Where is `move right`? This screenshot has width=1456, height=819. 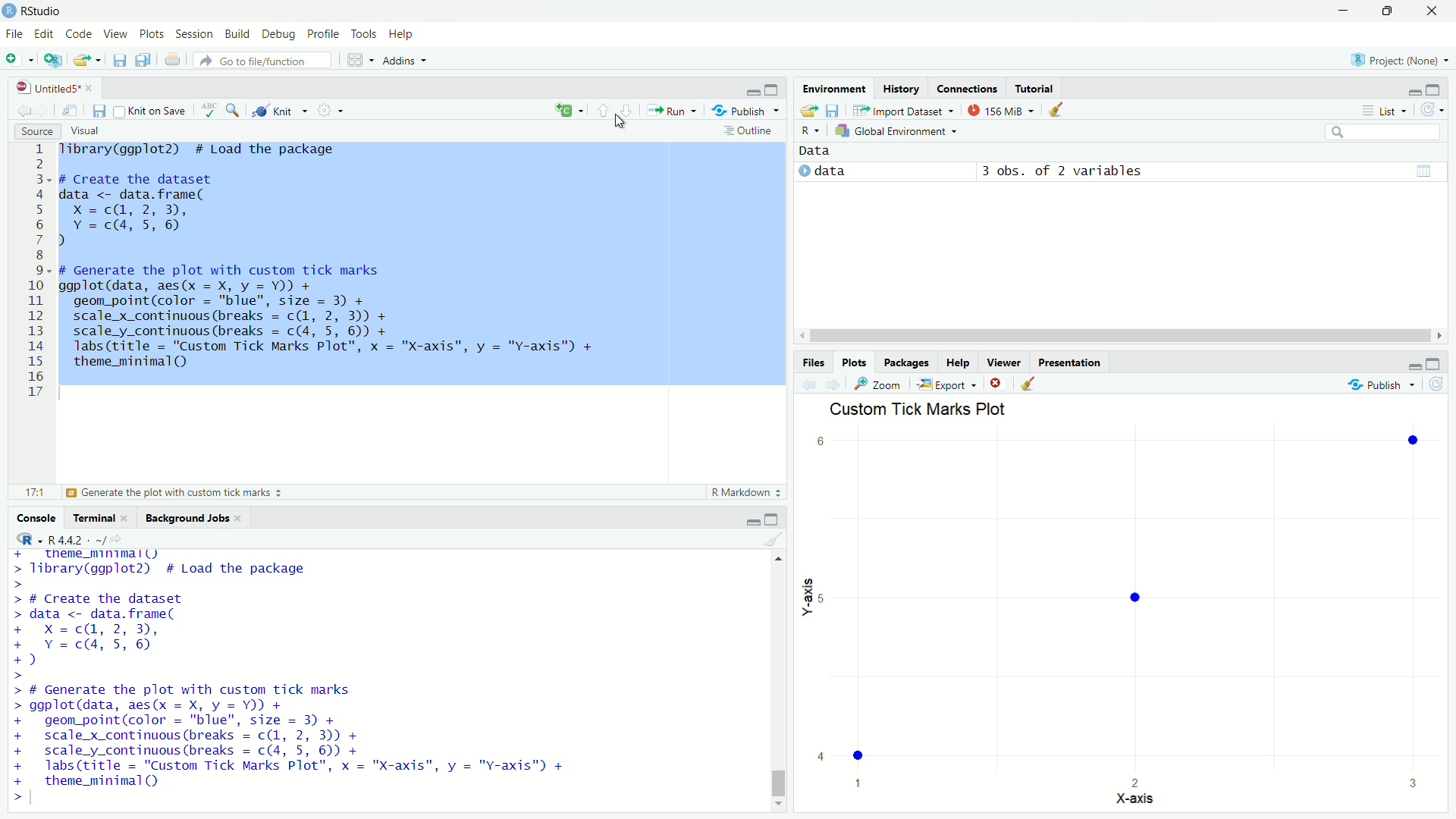 move right is located at coordinates (1442, 334).